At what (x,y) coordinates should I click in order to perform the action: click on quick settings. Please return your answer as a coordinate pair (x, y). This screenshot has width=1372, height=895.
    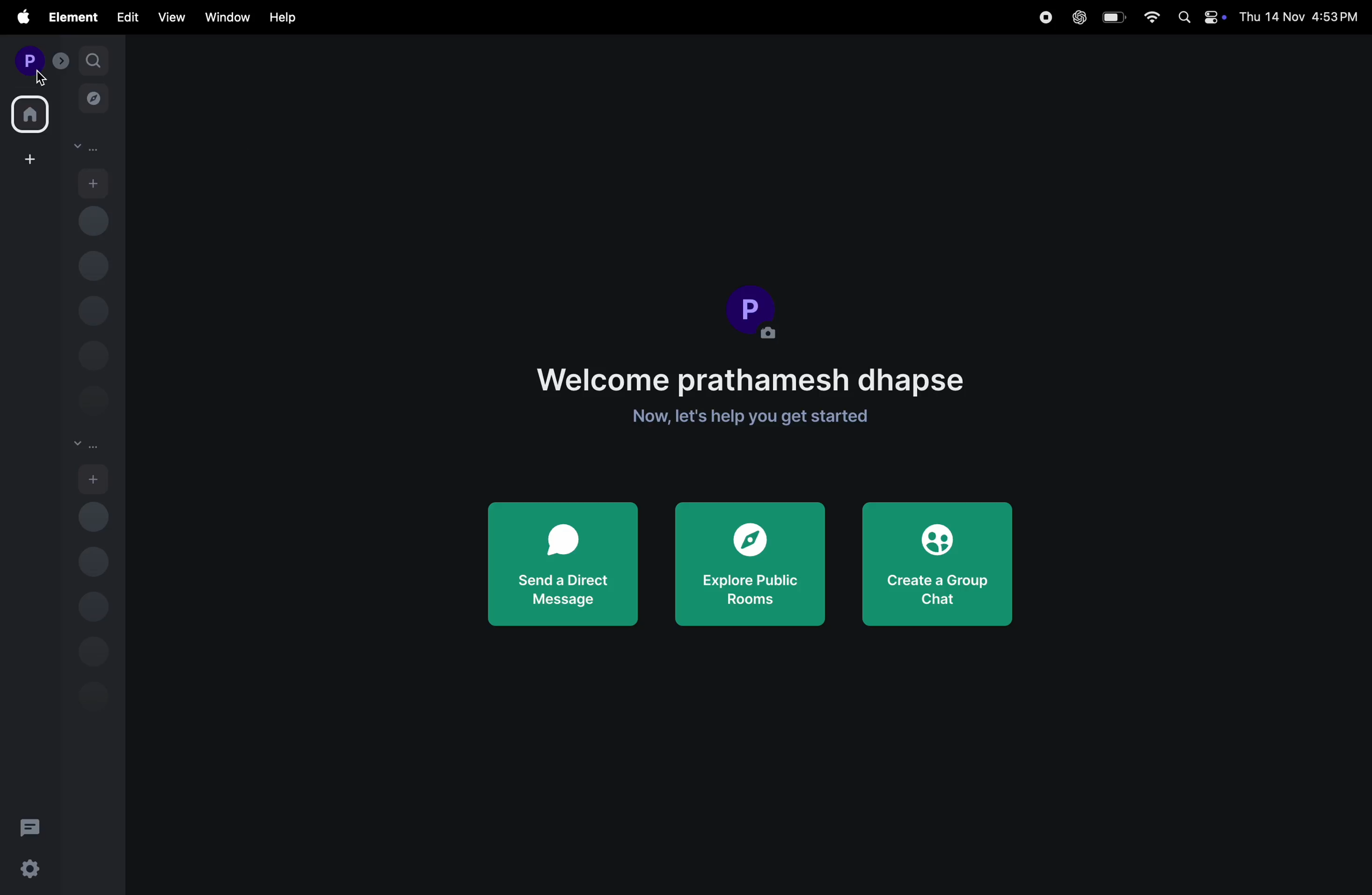
    Looking at the image, I should click on (31, 871).